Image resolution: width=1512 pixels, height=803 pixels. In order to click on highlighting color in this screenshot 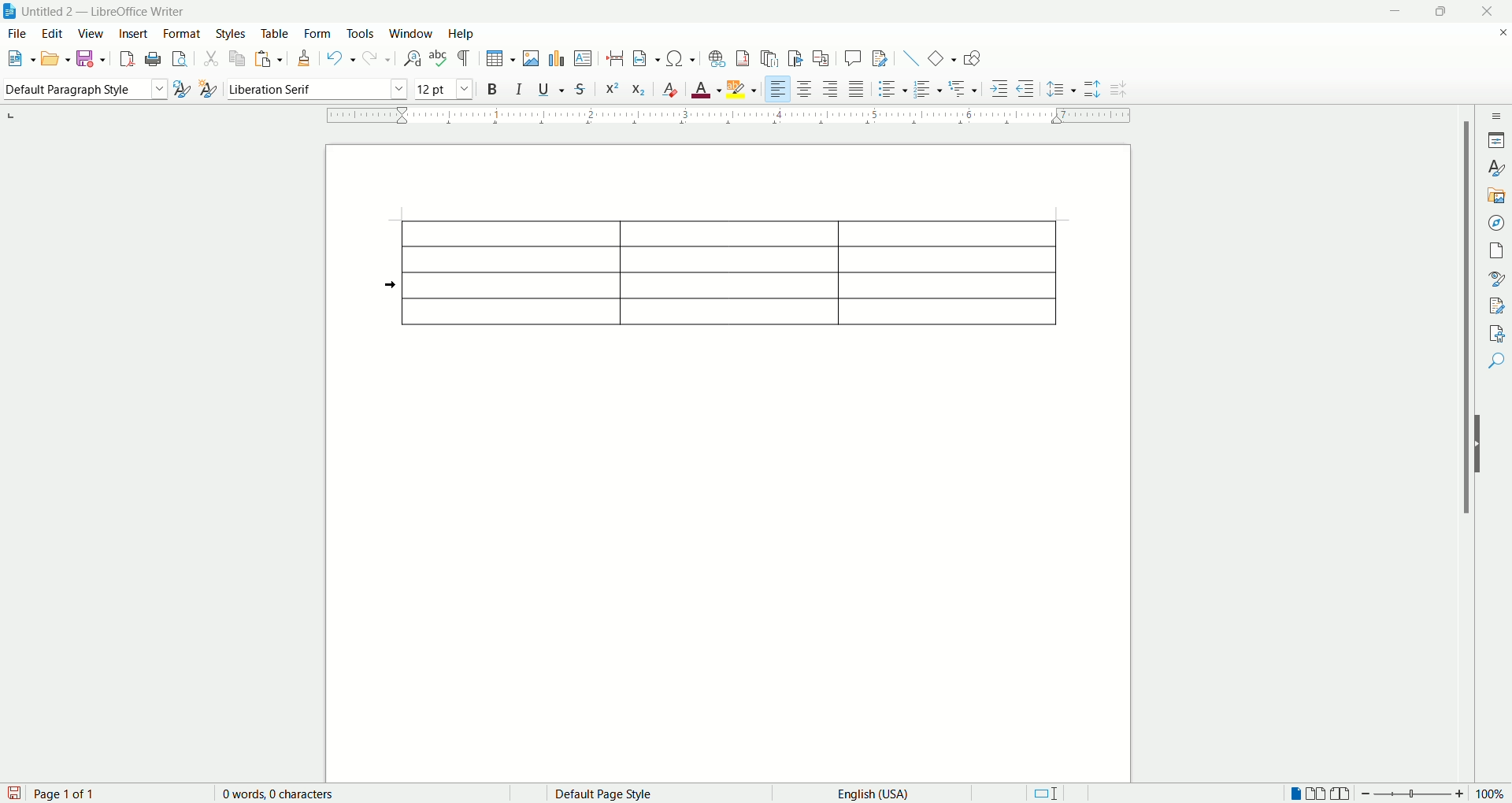, I will do `click(743, 87)`.